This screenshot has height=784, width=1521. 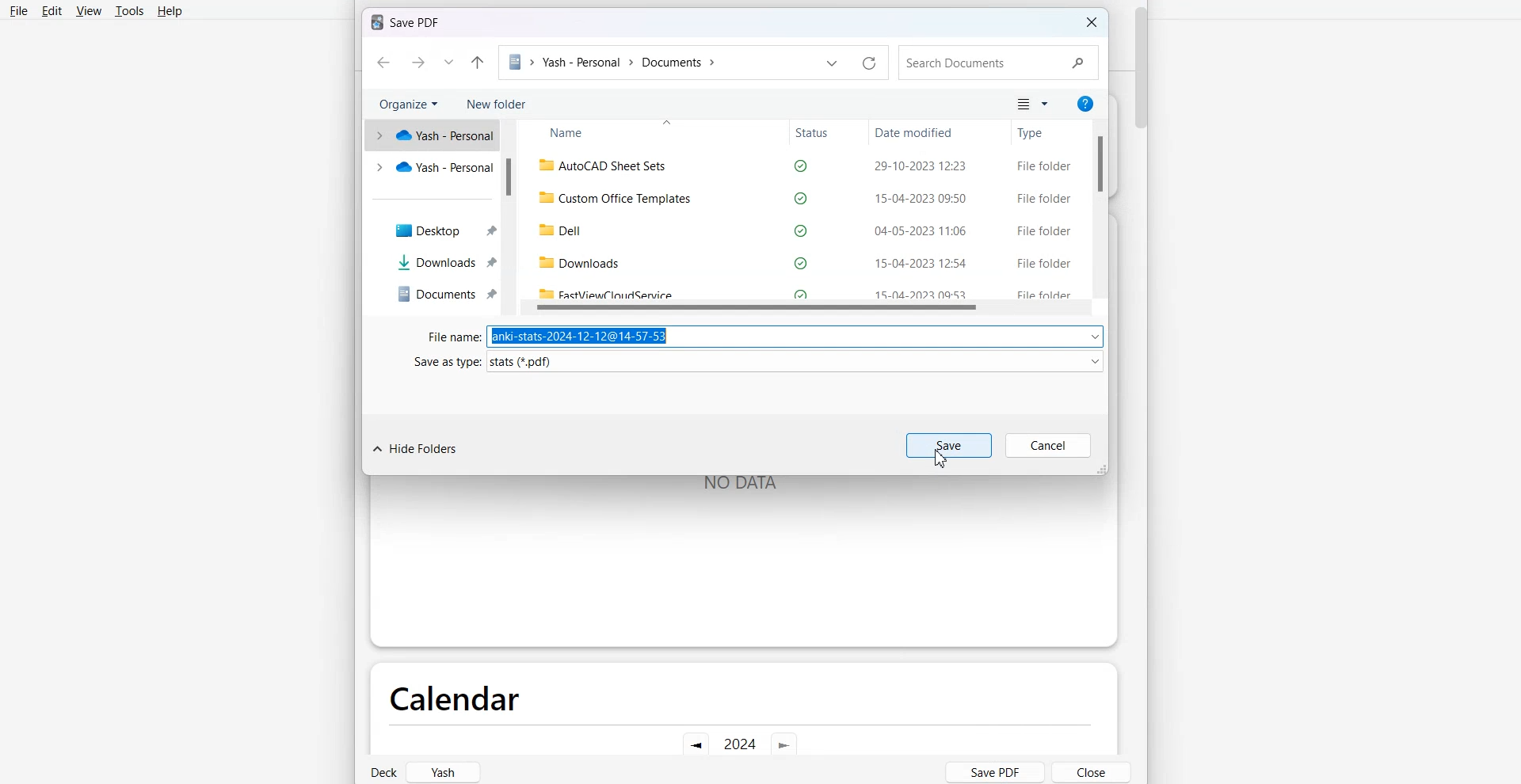 What do you see at coordinates (797, 333) in the screenshot?
I see `anki-stats-2024-12-12@14-57-53` at bounding box center [797, 333].